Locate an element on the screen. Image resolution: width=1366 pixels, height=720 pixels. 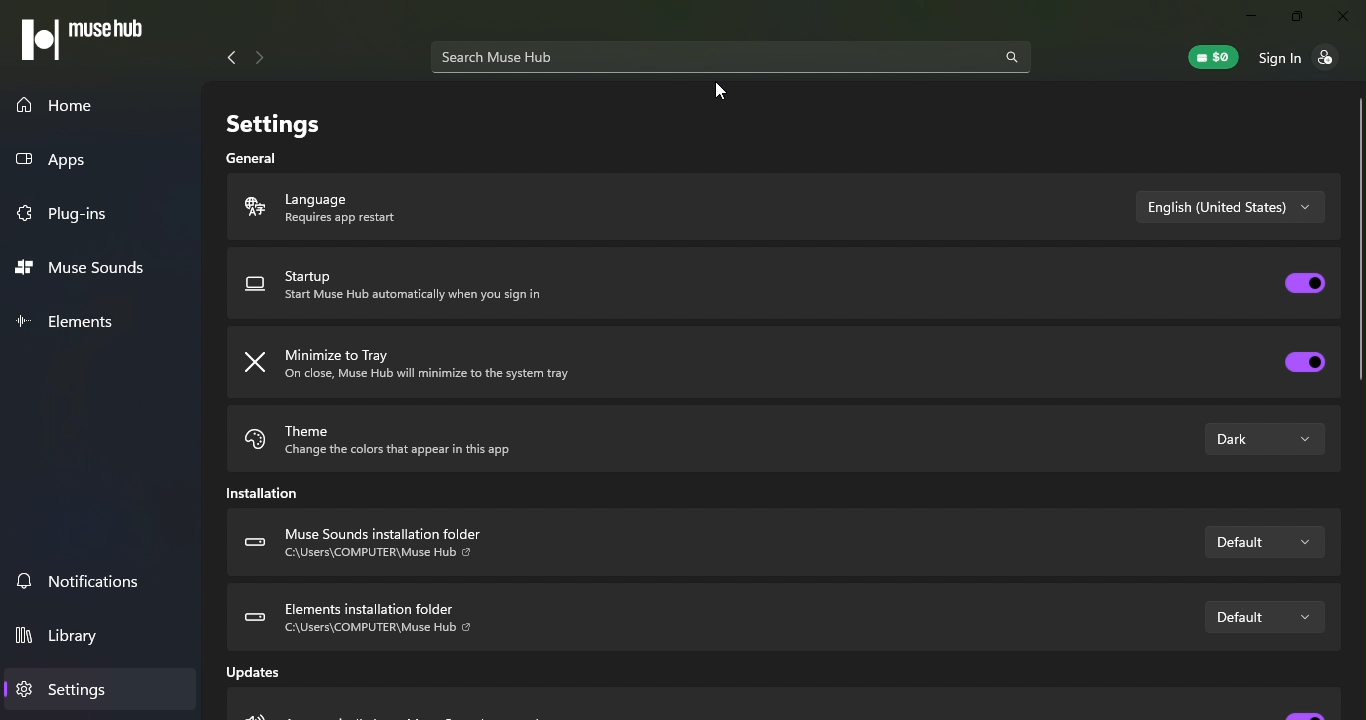
Settings is located at coordinates (66, 688).